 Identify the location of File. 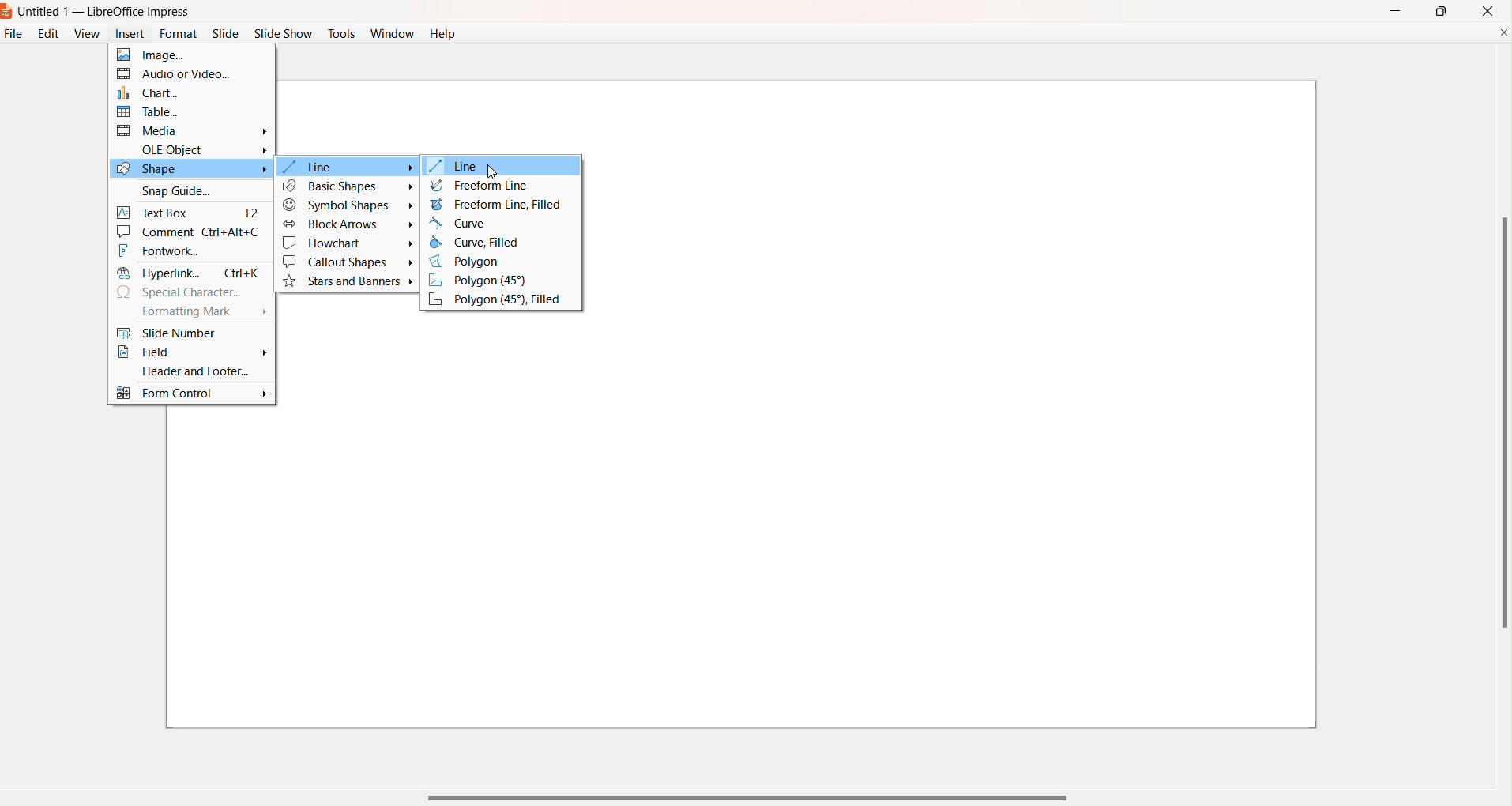
(12, 37).